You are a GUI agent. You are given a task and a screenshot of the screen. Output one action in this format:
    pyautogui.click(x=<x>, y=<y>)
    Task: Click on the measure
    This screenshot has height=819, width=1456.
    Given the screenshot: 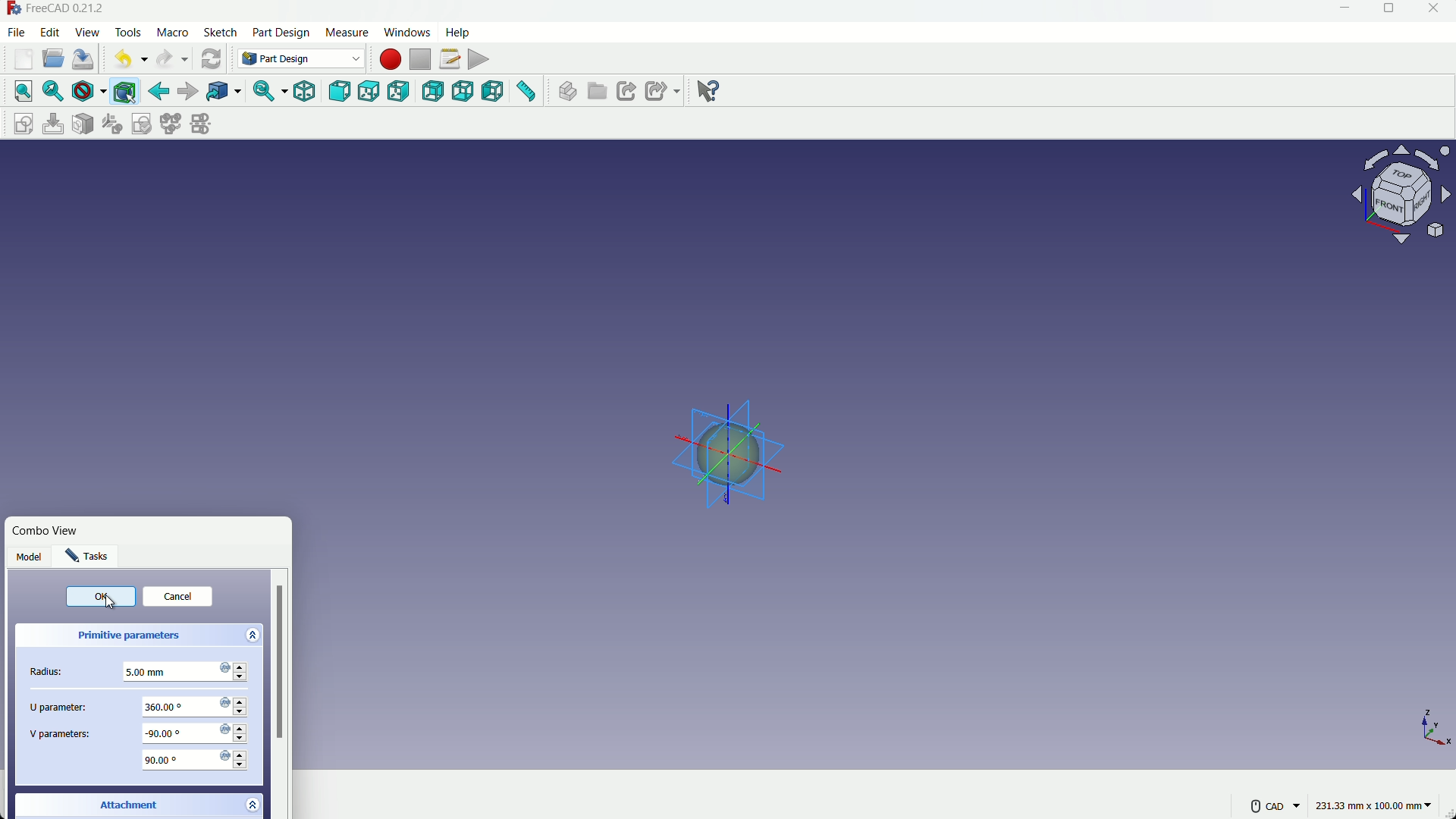 What is the action you would take?
    pyautogui.click(x=526, y=92)
    